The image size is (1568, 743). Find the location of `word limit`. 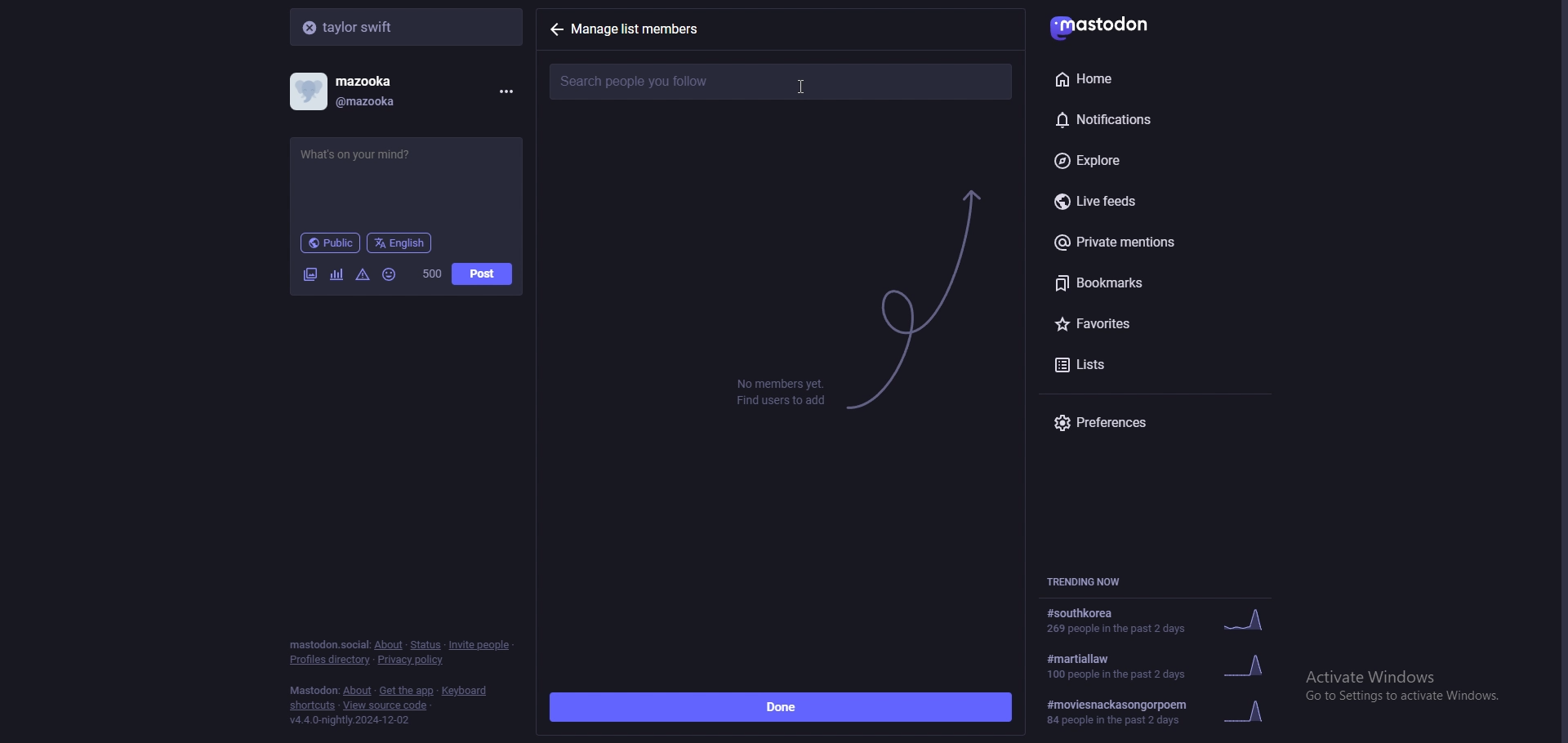

word limit is located at coordinates (430, 274).